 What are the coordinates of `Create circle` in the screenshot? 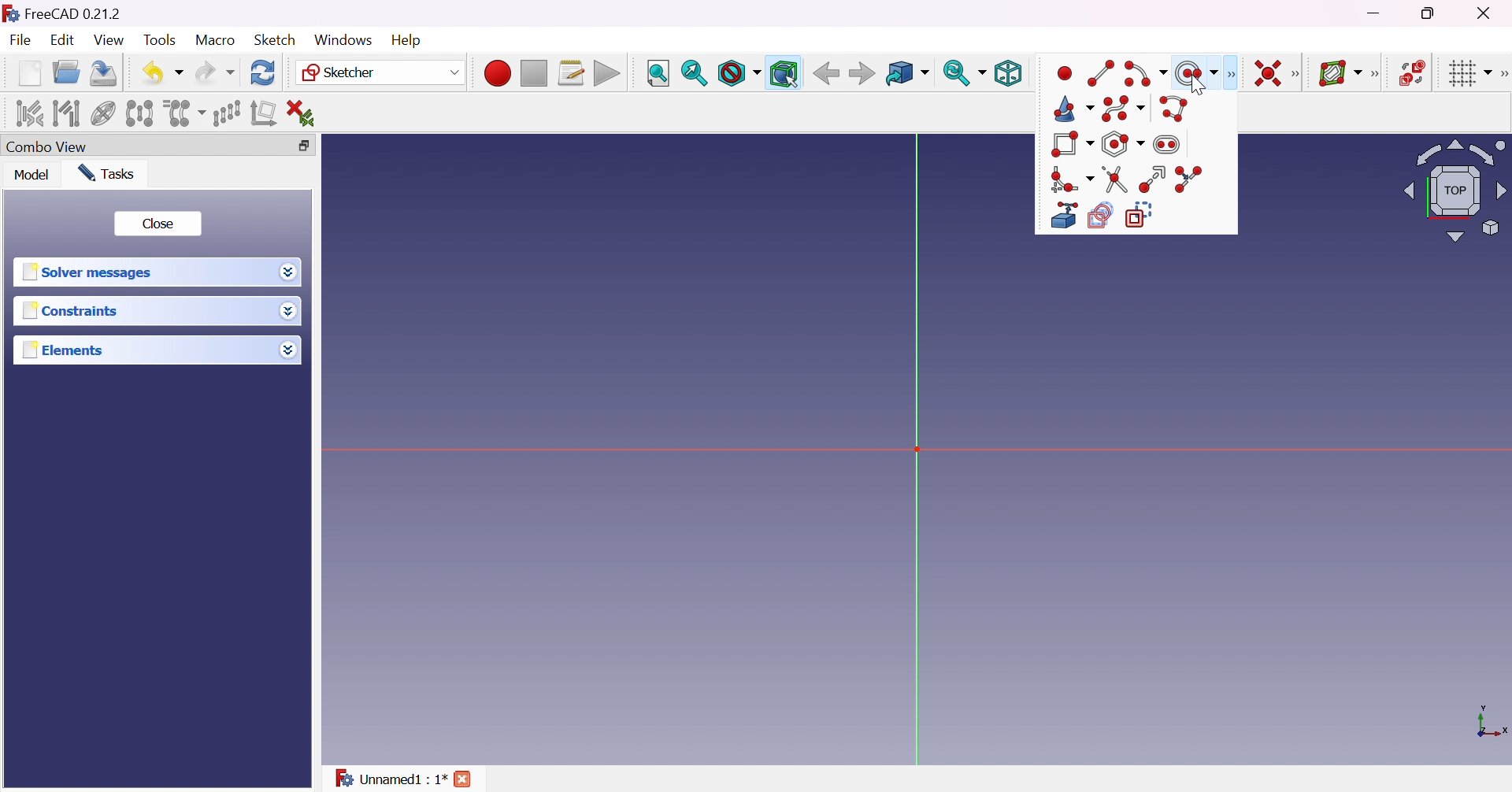 It's located at (1196, 73).